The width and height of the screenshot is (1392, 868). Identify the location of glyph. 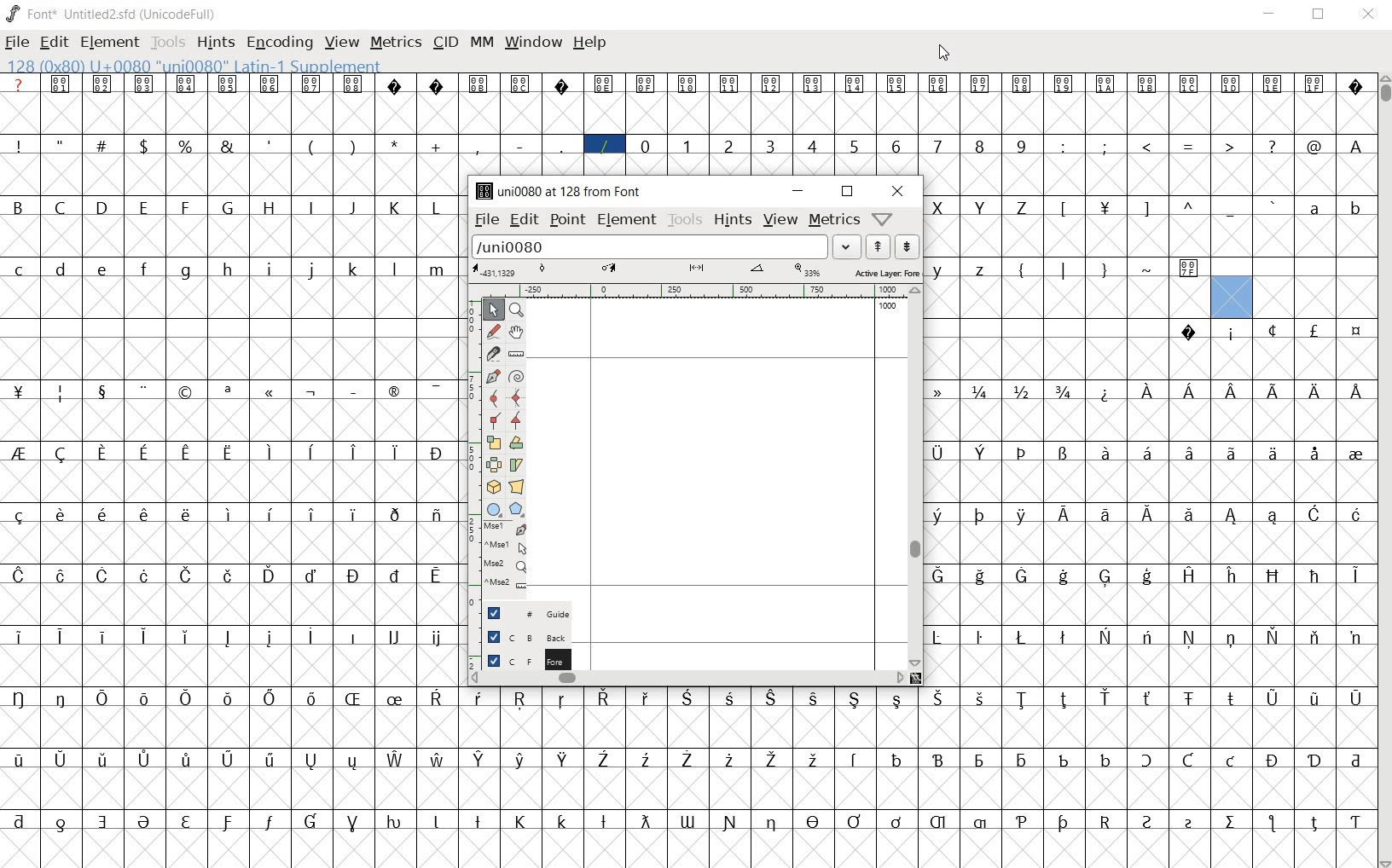
(519, 84).